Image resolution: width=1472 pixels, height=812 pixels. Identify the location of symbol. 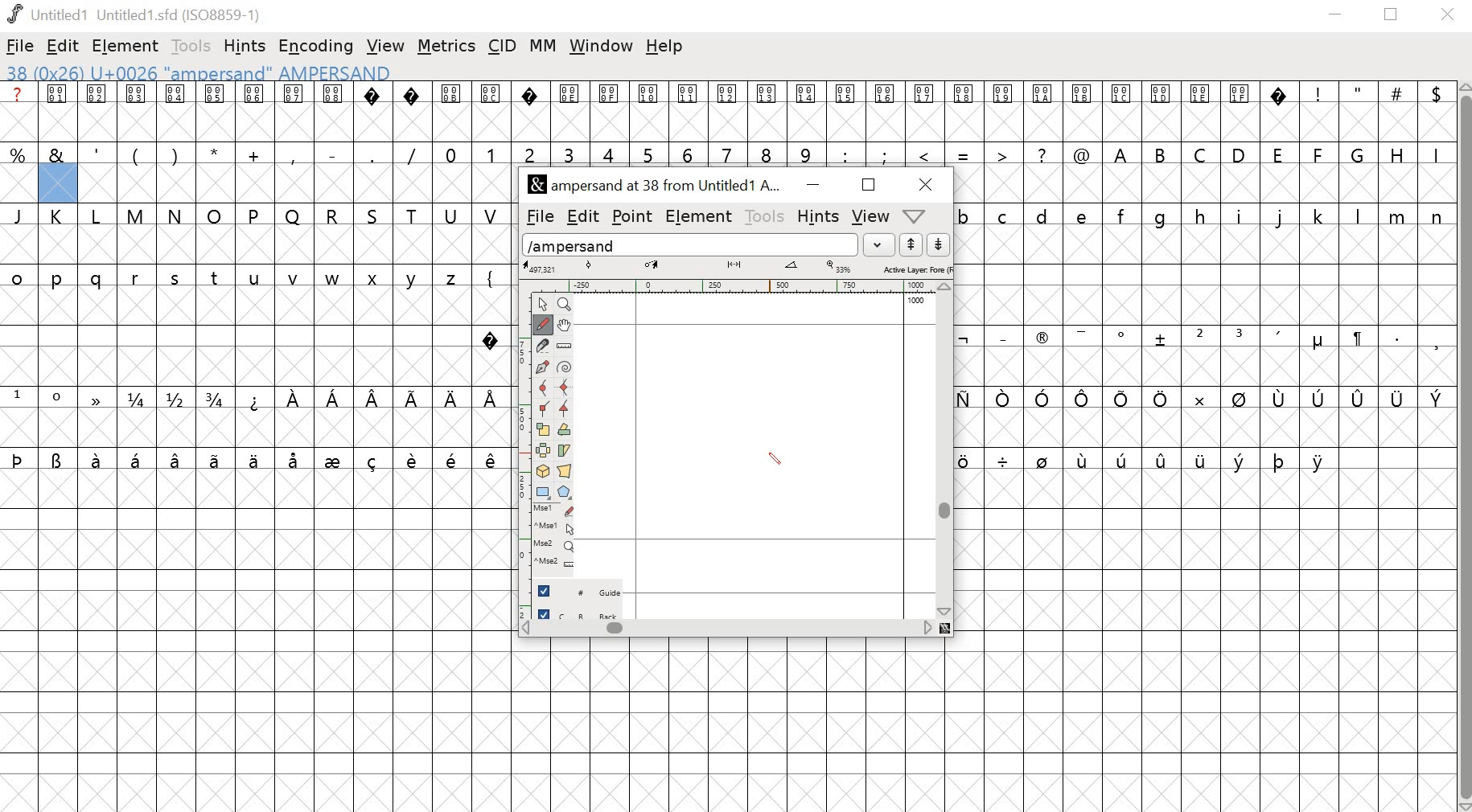
(1321, 398).